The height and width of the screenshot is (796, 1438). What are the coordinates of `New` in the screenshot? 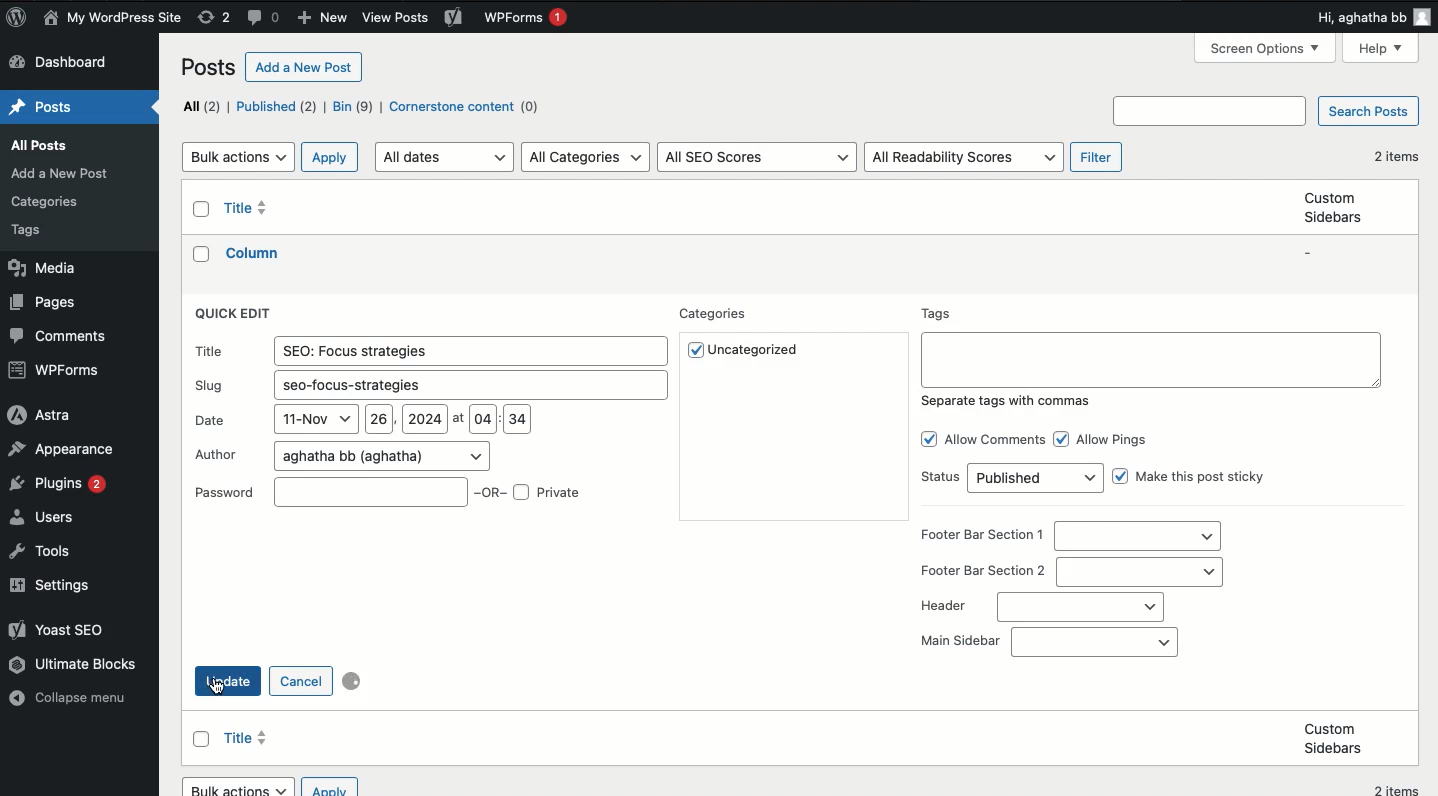 It's located at (321, 19).